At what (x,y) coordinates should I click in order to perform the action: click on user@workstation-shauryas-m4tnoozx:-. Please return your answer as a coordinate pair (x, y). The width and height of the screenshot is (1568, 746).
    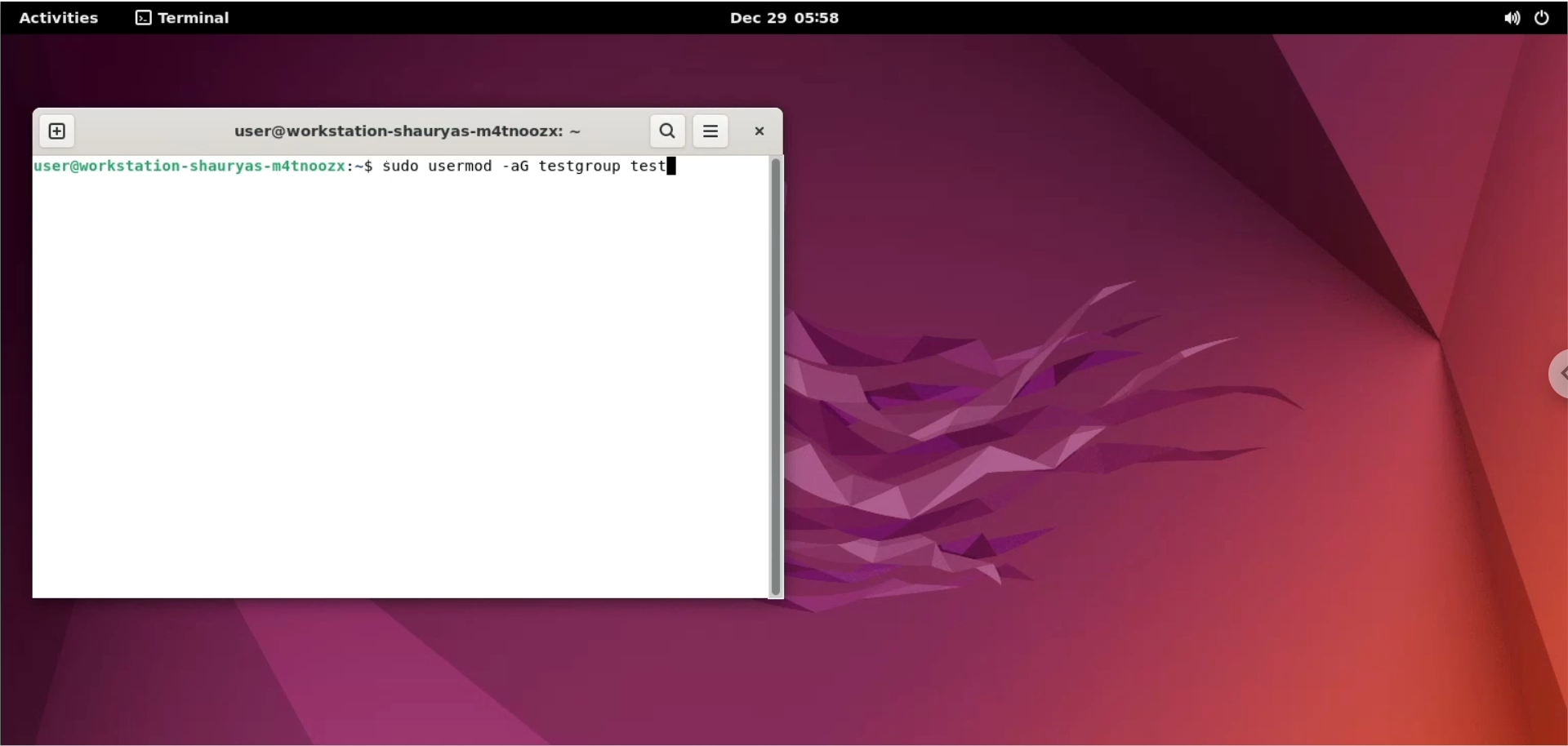
    Looking at the image, I should click on (390, 131).